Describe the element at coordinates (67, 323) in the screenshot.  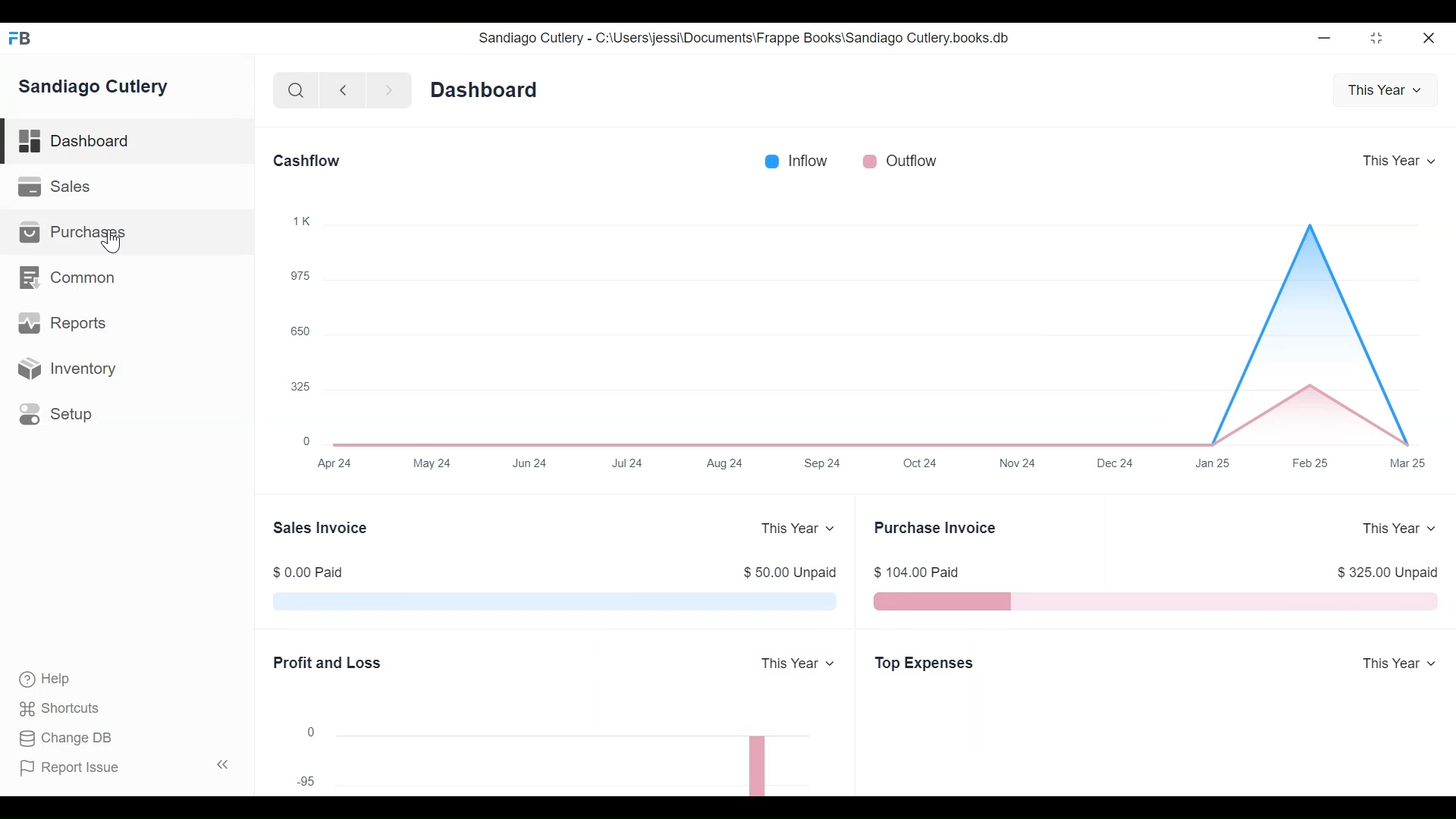
I see `Reports` at that location.